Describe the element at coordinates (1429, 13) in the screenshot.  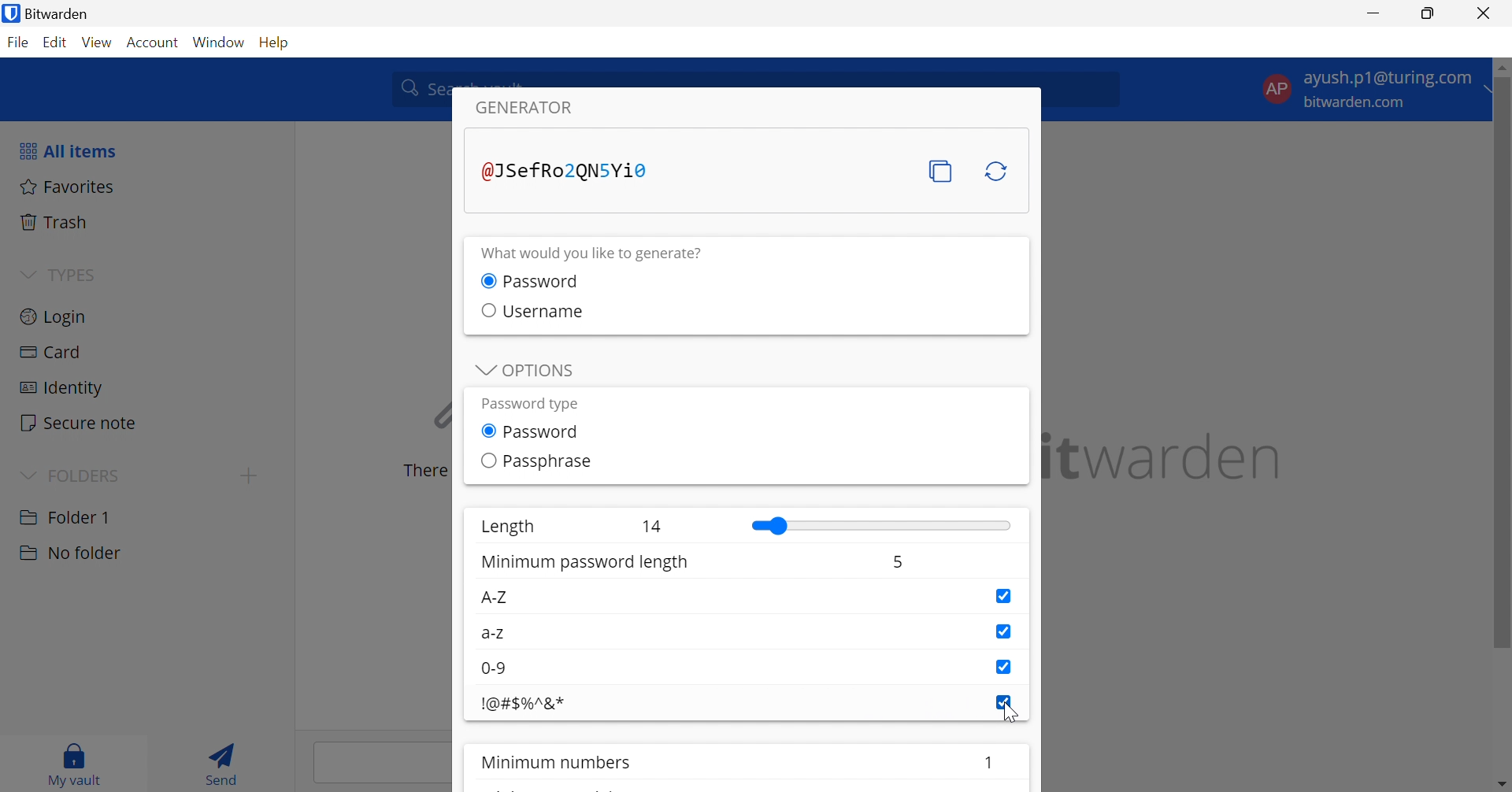
I see `Restore Down` at that location.